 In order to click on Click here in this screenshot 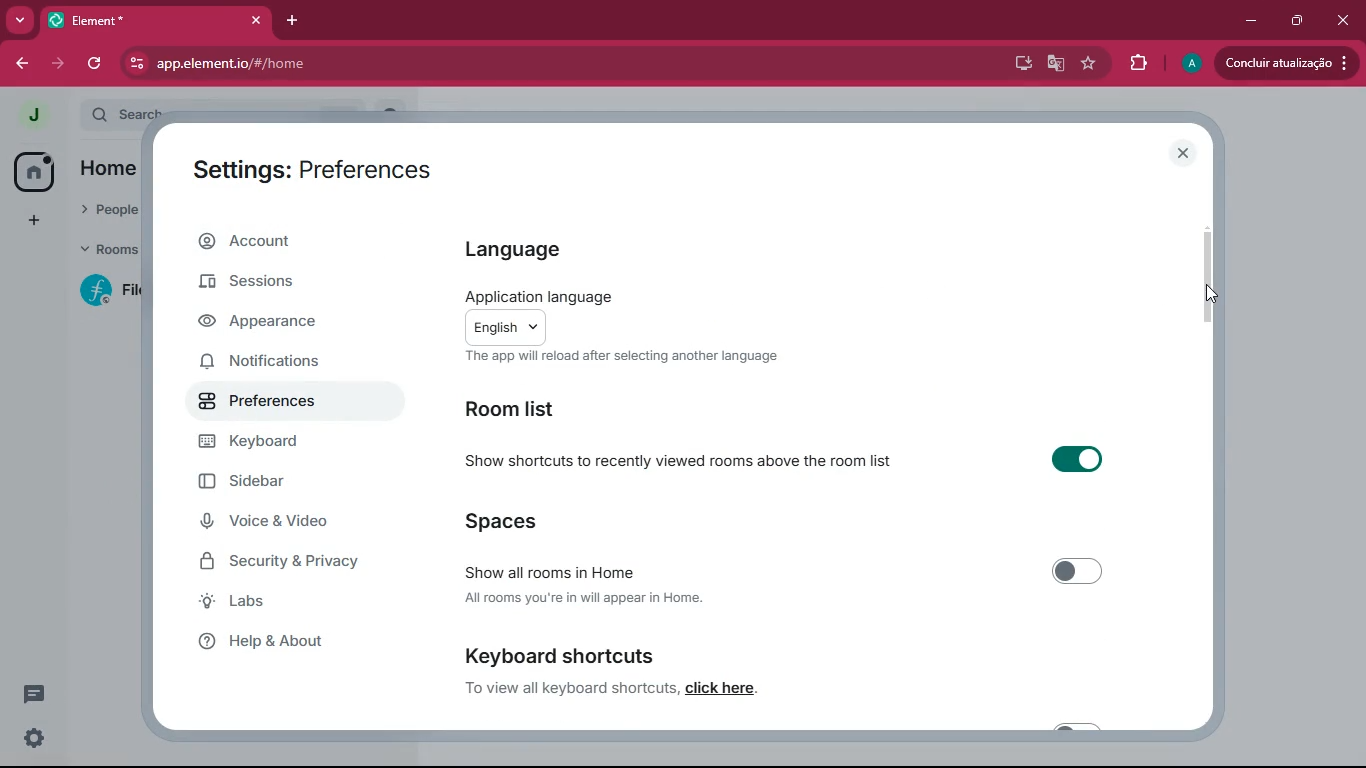, I will do `click(723, 688)`.